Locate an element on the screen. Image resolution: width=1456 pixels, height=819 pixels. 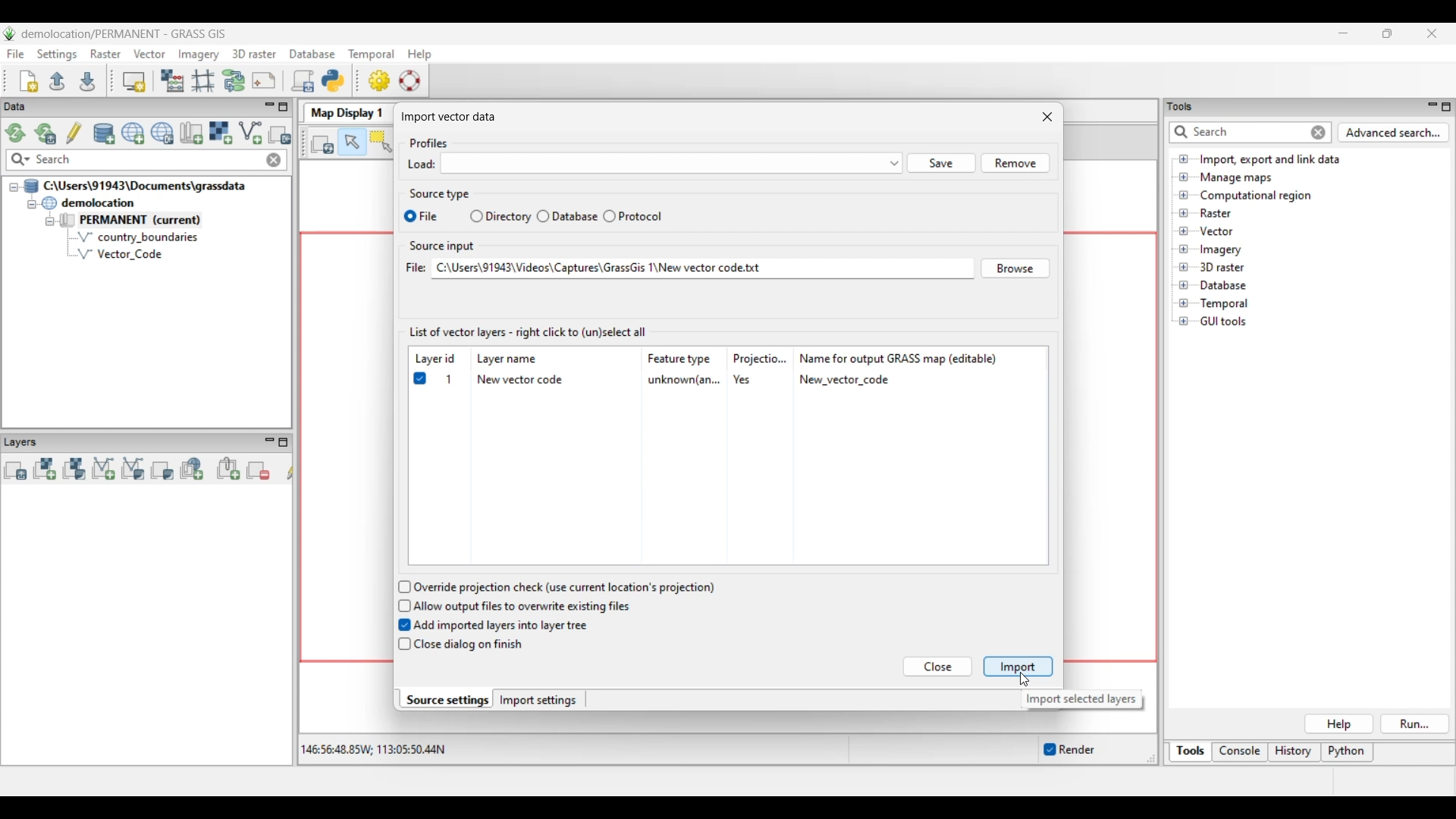
Select another import option is located at coordinates (279, 134).